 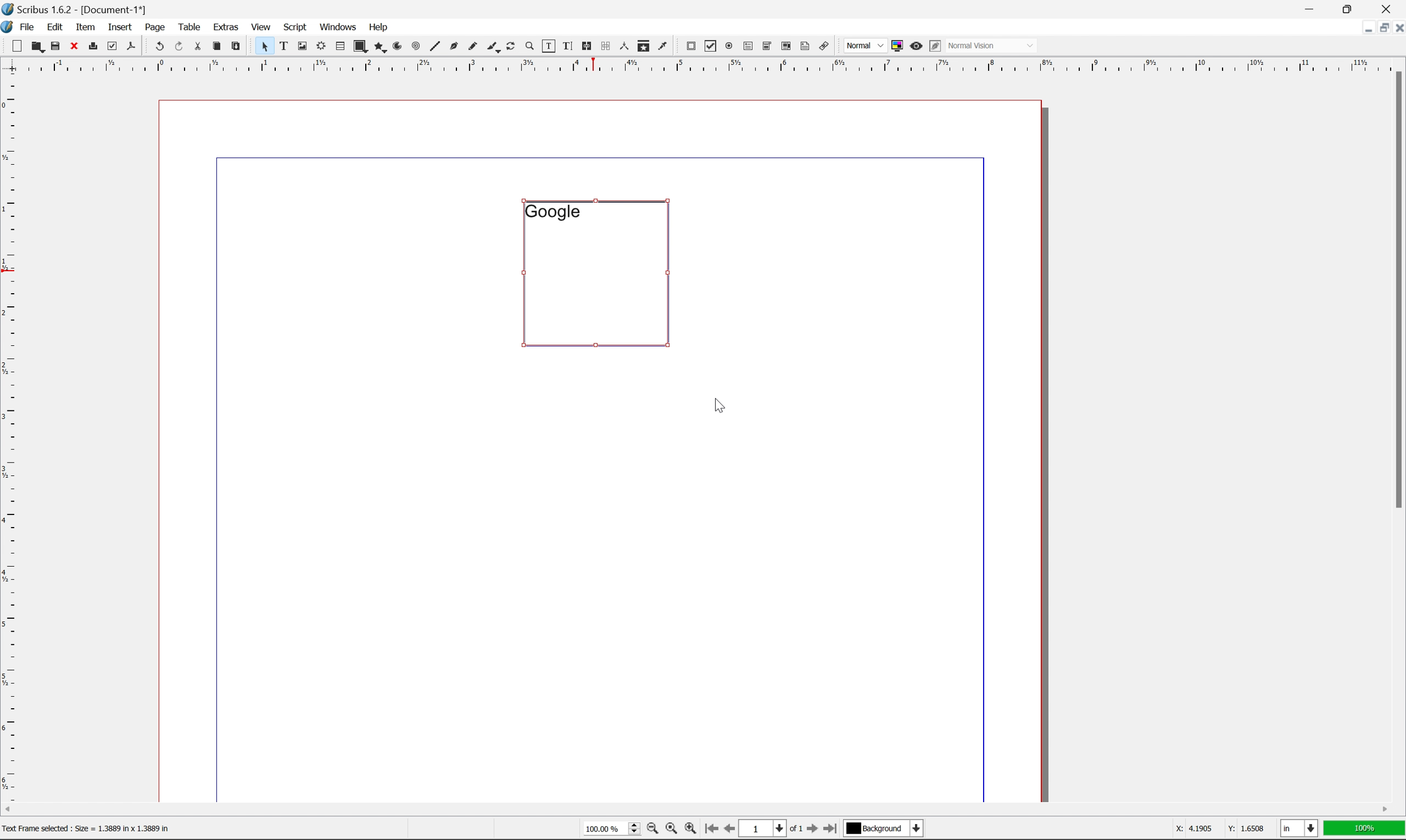 I want to click on save as pdf, so click(x=132, y=46).